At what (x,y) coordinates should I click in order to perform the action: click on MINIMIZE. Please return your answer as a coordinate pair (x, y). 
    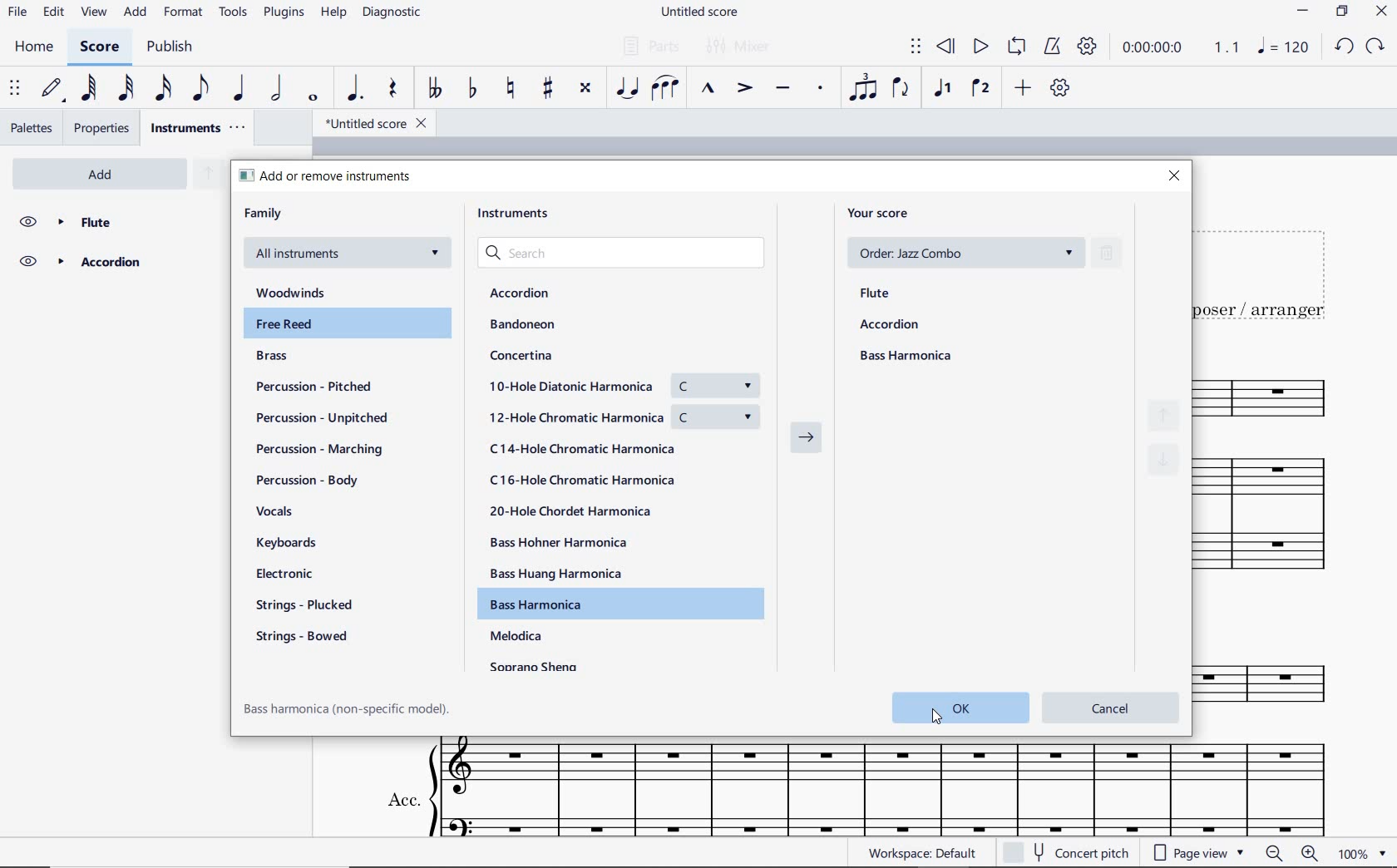
    Looking at the image, I should click on (1305, 11).